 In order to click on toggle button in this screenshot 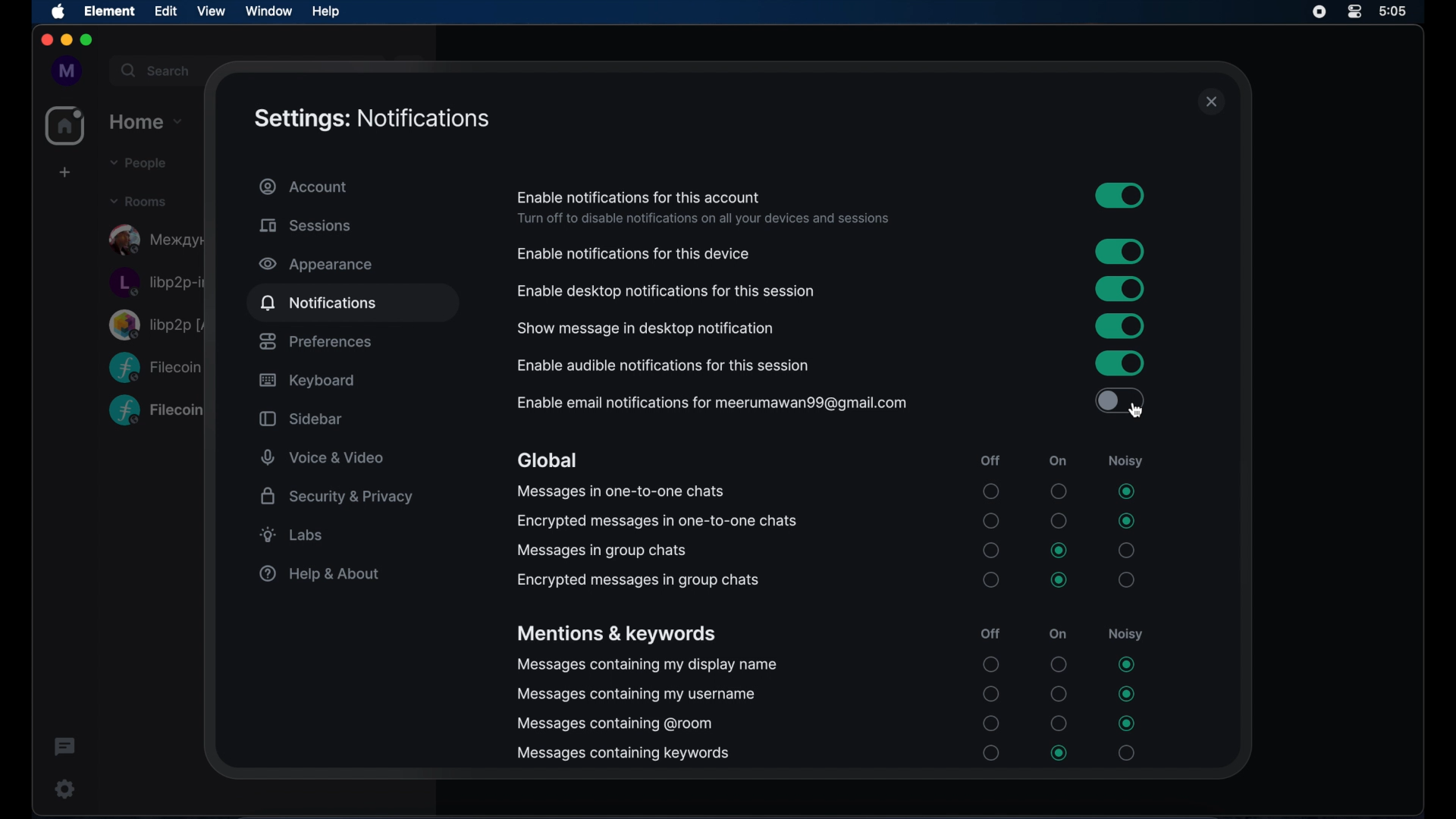, I will do `click(1120, 195)`.